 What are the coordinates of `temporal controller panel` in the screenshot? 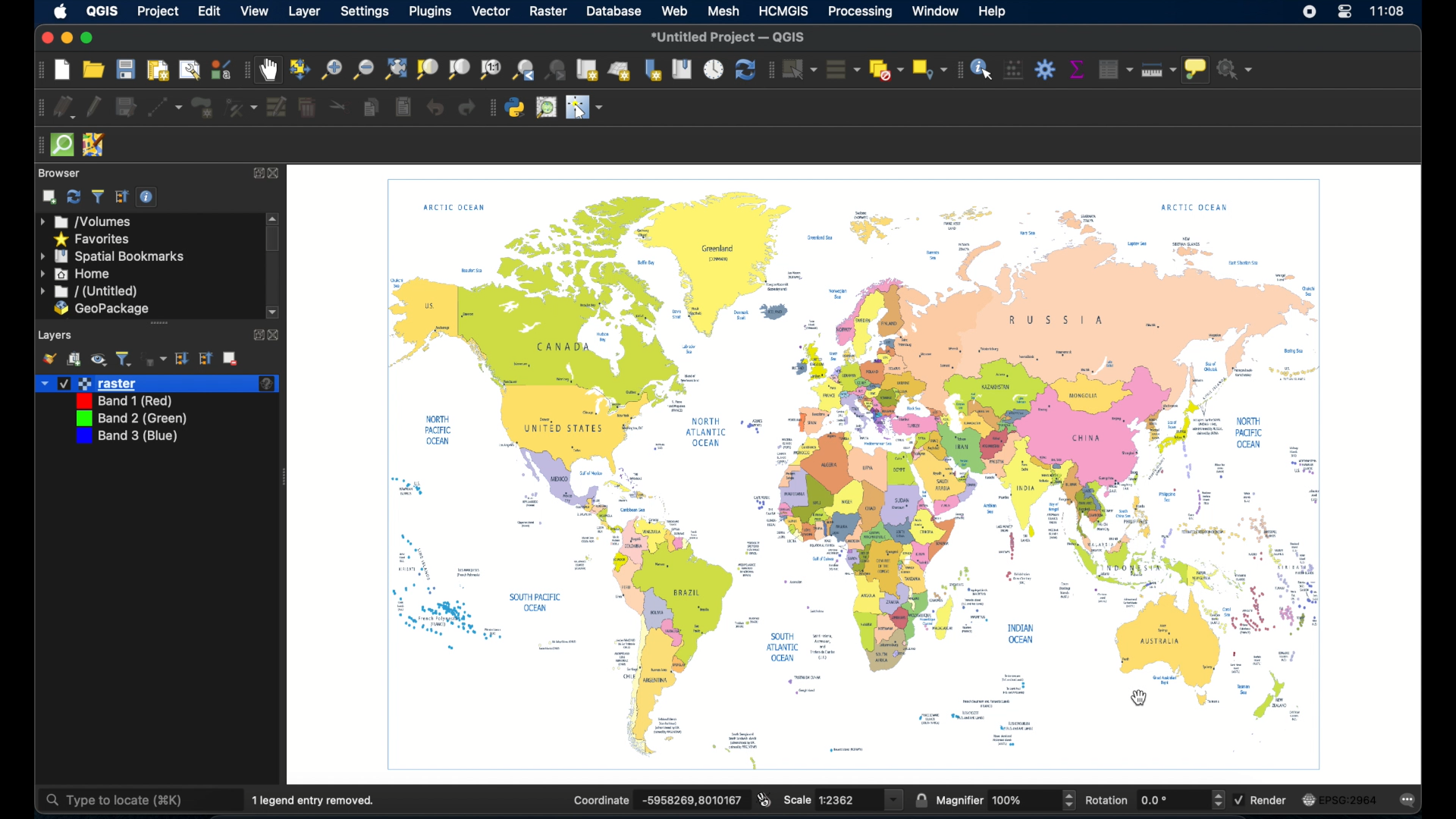 It's located at (714, 69).